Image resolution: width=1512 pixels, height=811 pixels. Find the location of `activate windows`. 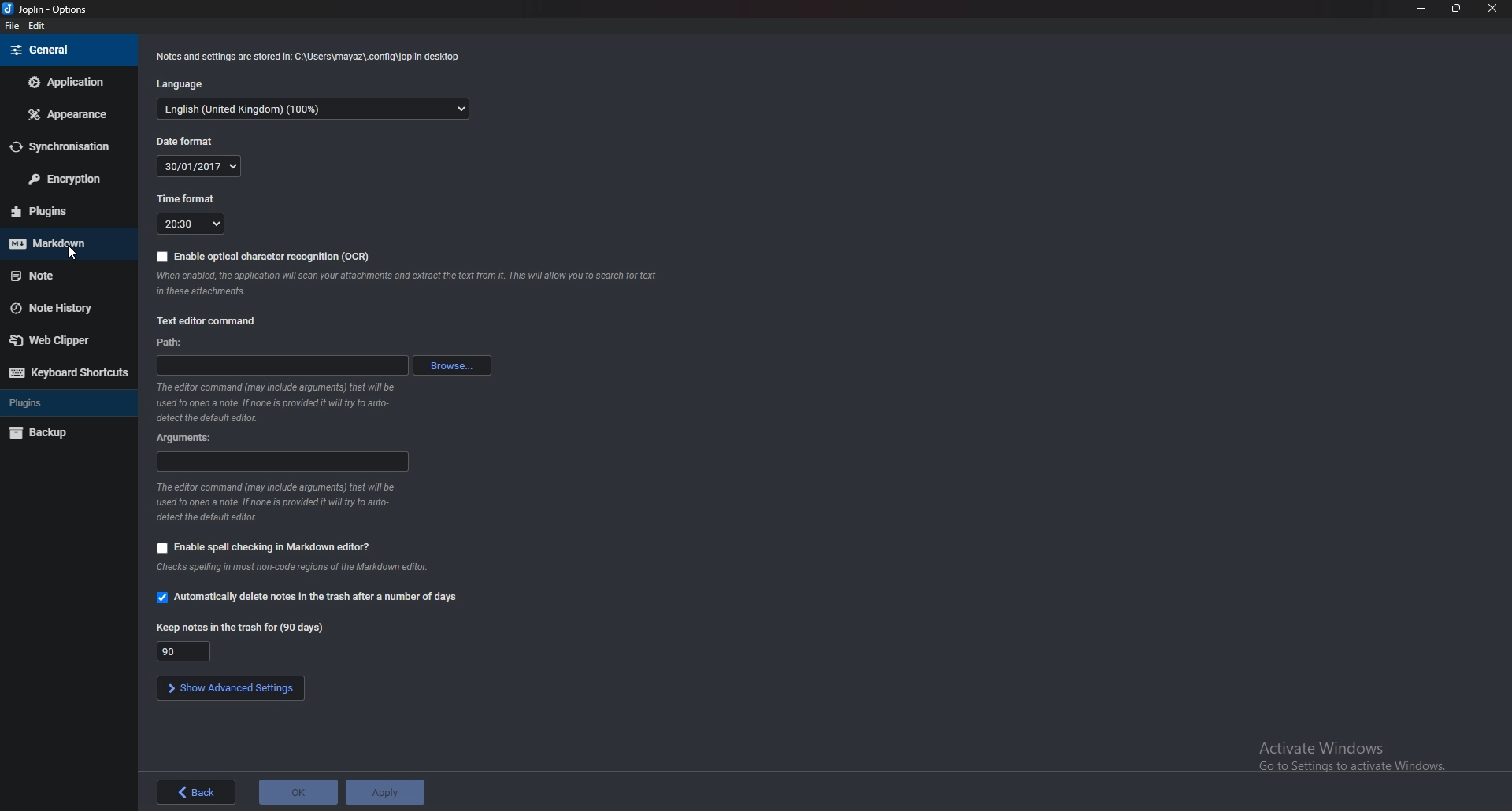

activate windows is located at coordinates (1357, 754).